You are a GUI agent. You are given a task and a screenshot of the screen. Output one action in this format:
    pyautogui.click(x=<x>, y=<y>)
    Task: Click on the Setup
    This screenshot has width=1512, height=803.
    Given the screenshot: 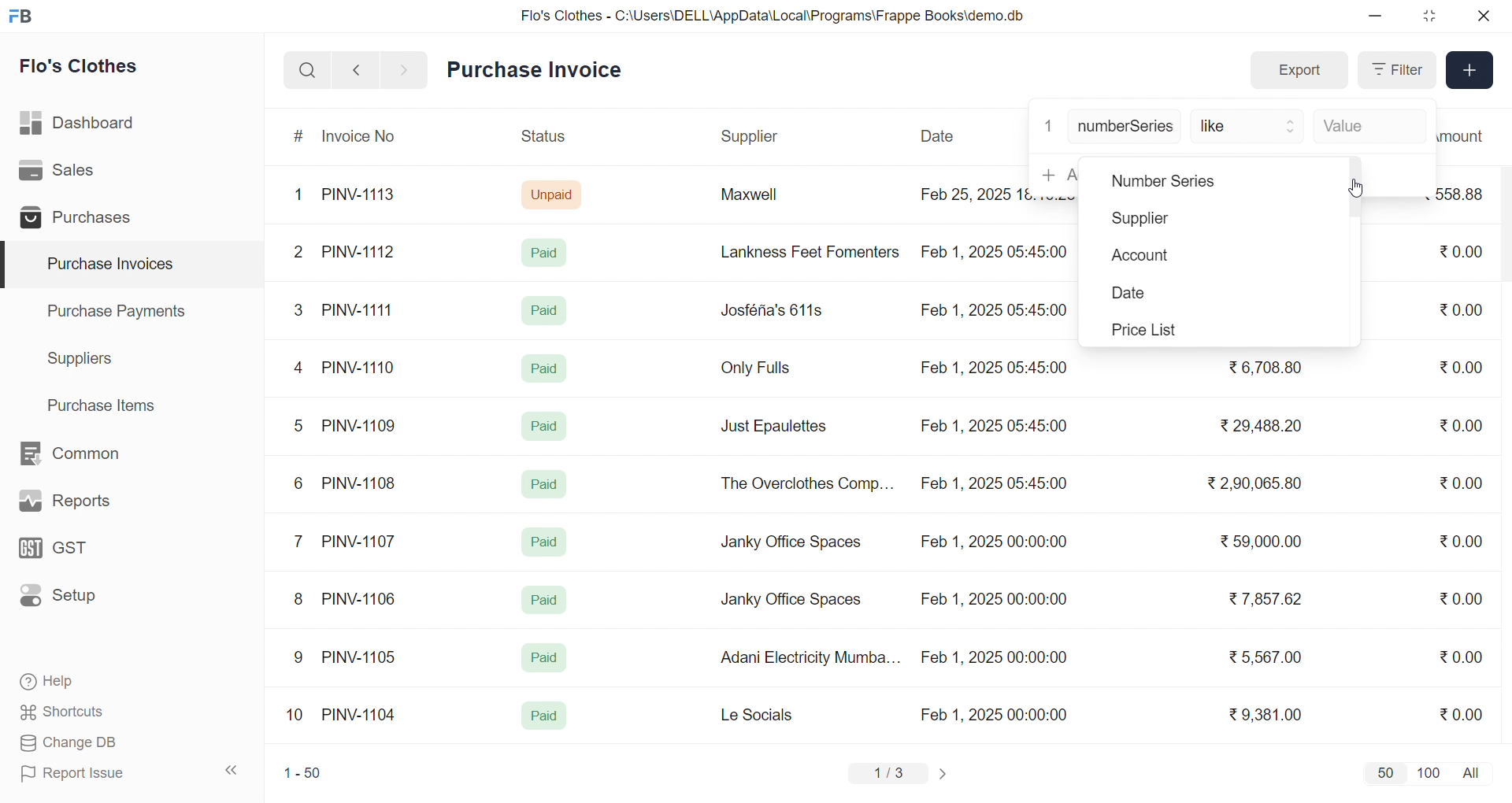 What is the action you would take?
    pyautogui.click(x=82, y=601)
    